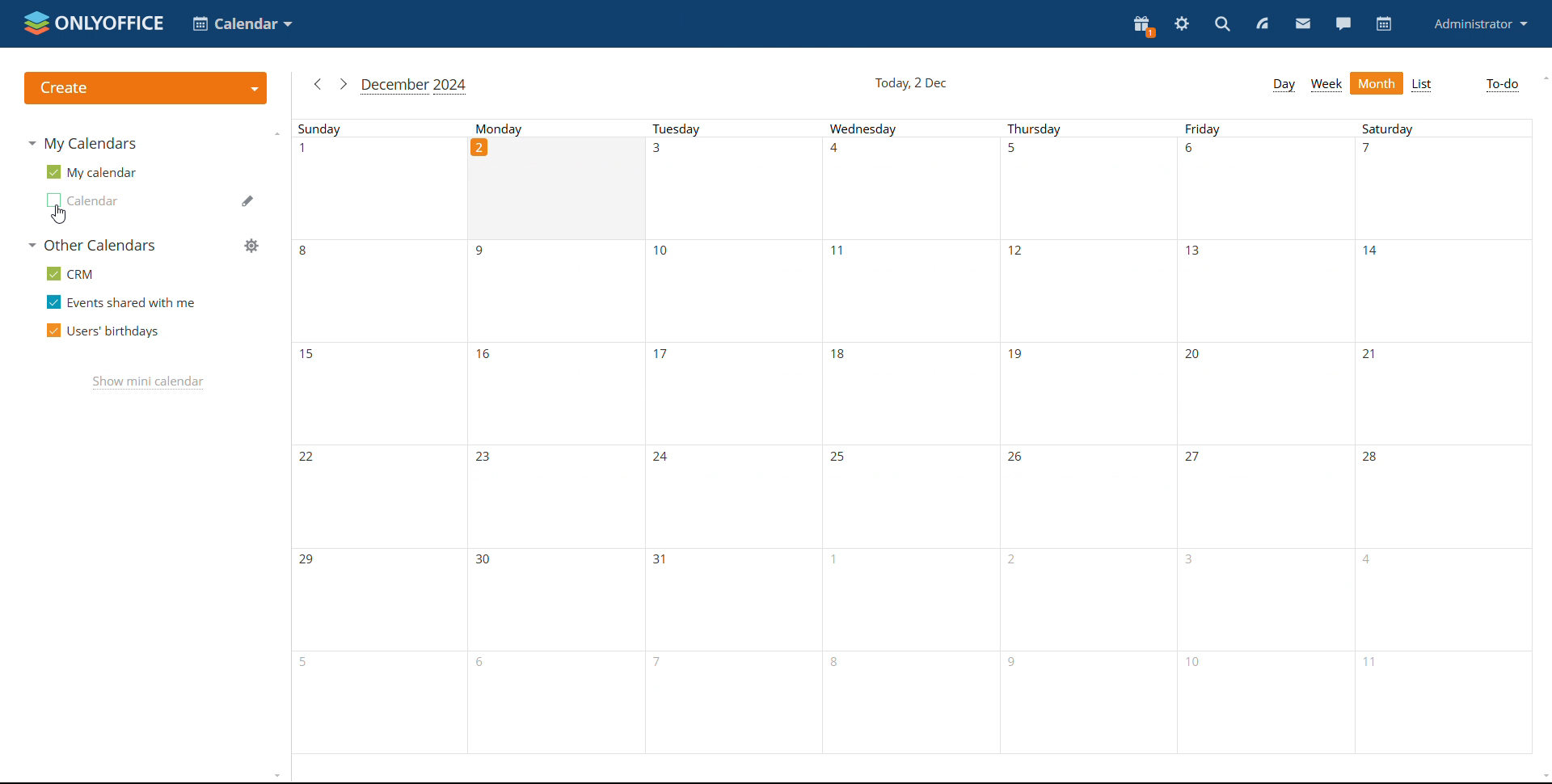 The image size is (1552, 784). What do you see at coordinates (910, 598) in the screenshot?
I see `1` at bounding box center [910, 598].